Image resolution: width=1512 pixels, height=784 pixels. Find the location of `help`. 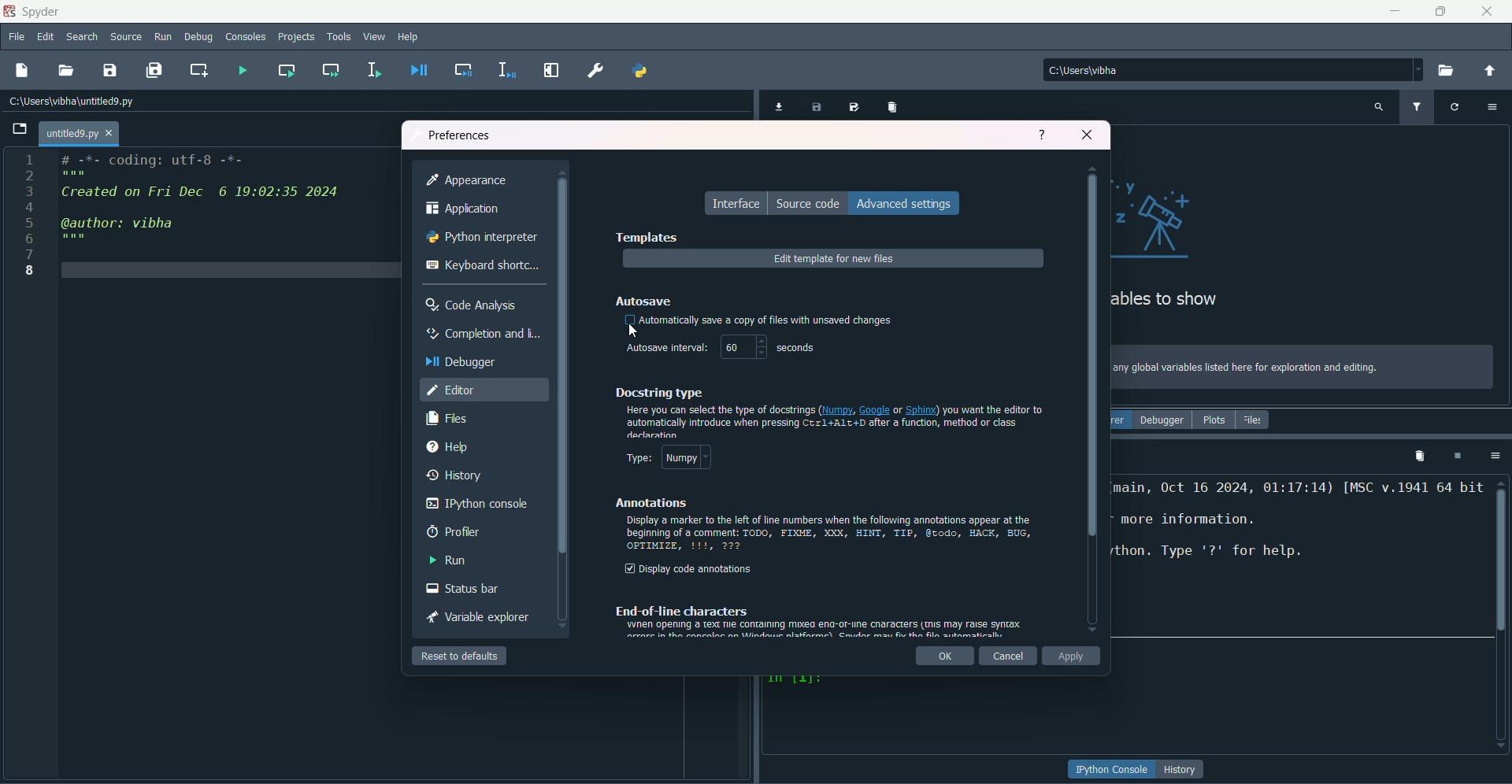

help is located at coordinates (447, 449).